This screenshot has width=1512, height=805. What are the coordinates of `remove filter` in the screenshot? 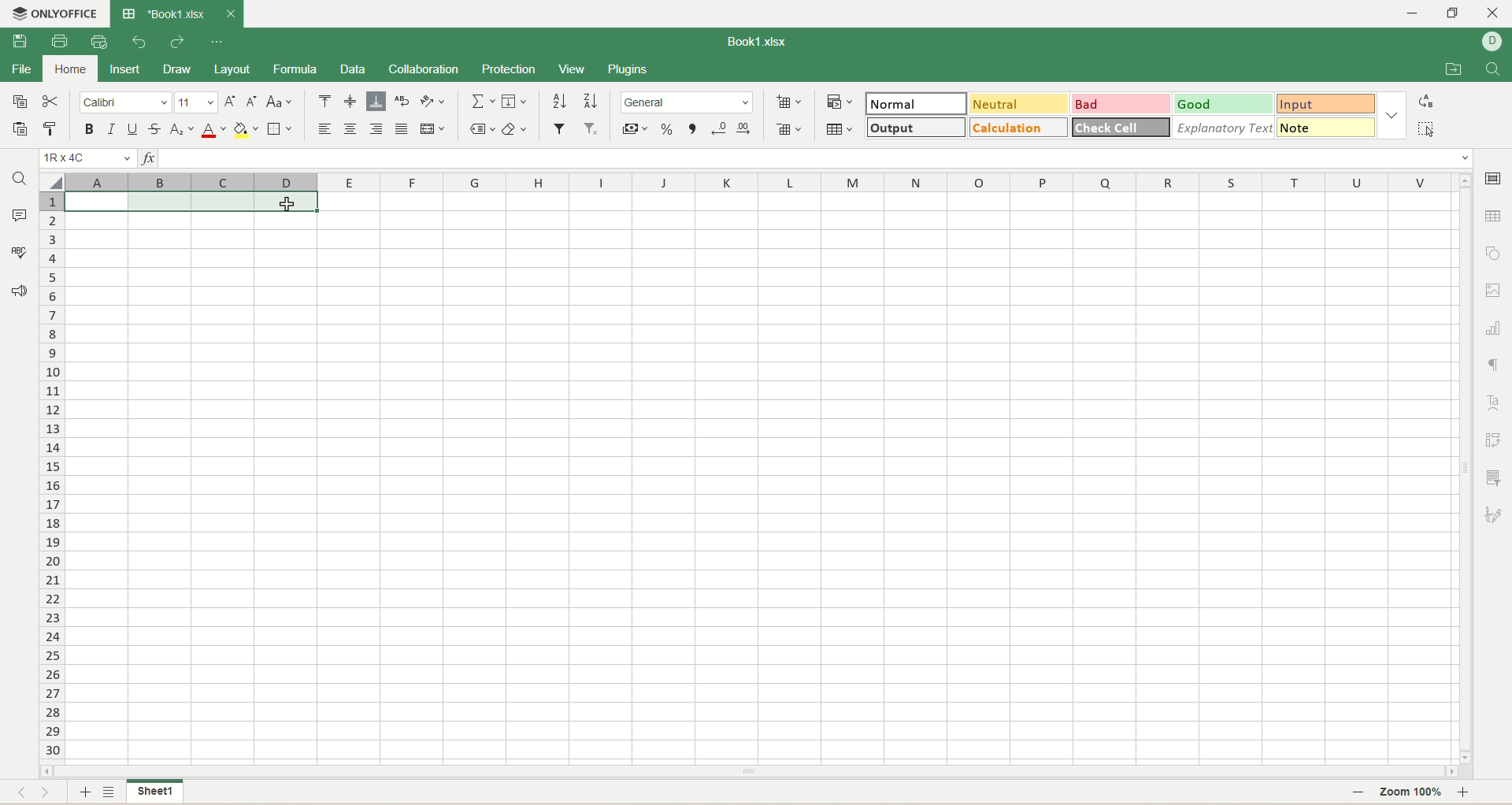 It's located at (590, 128).